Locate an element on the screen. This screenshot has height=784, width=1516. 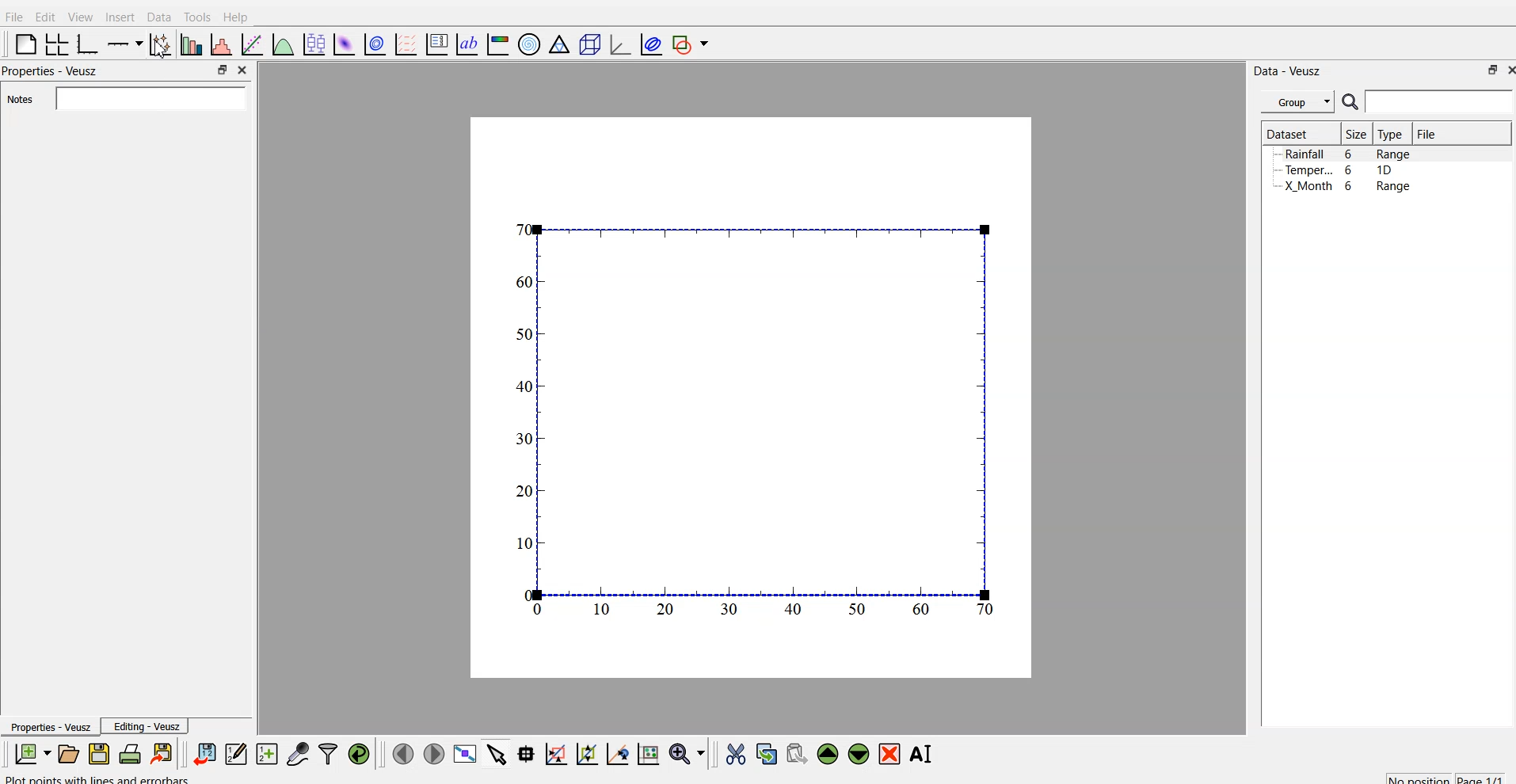
Type is located at coordinates (1391, 135).